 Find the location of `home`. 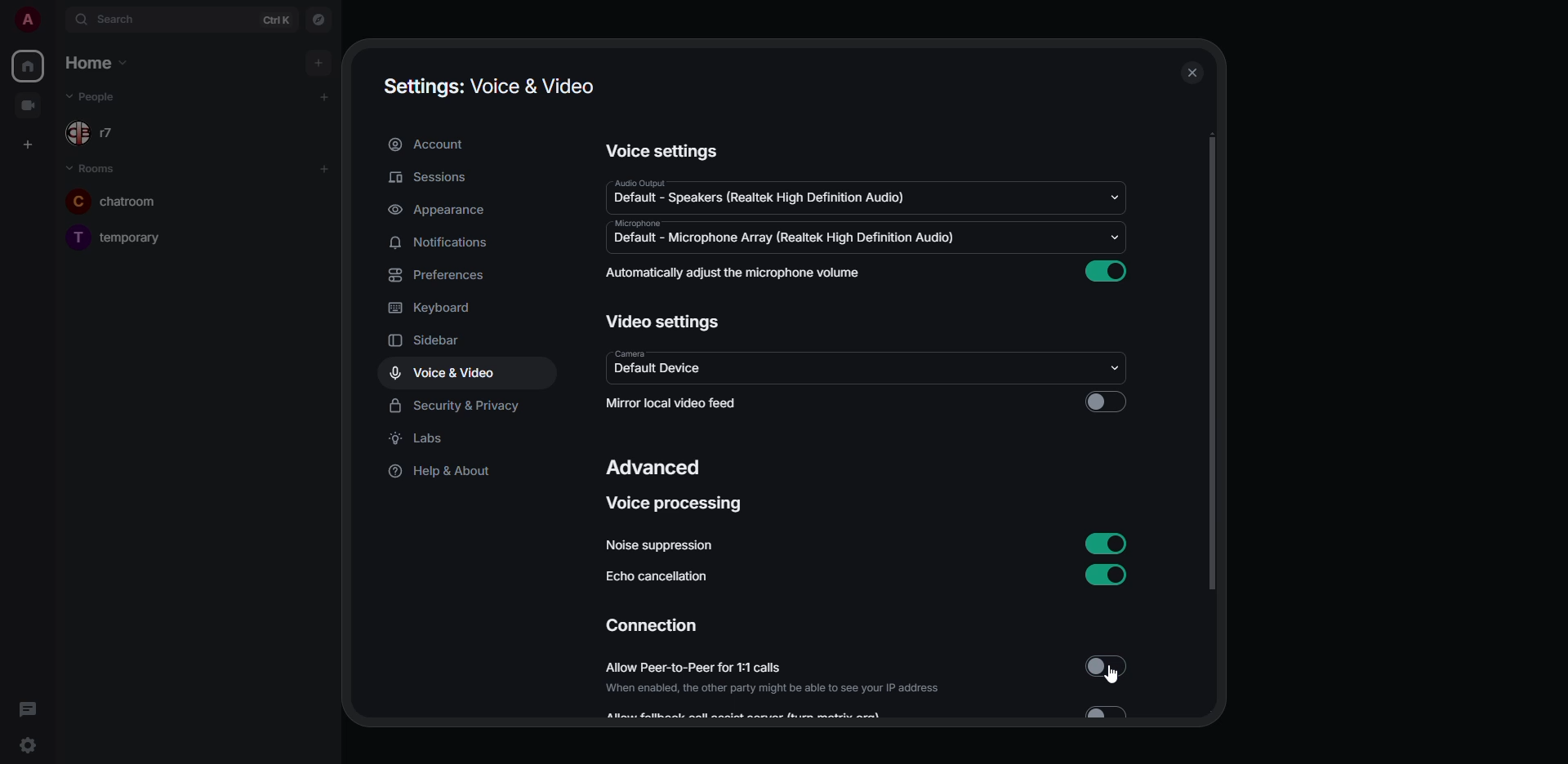

home is located at coordinates (94, 64).